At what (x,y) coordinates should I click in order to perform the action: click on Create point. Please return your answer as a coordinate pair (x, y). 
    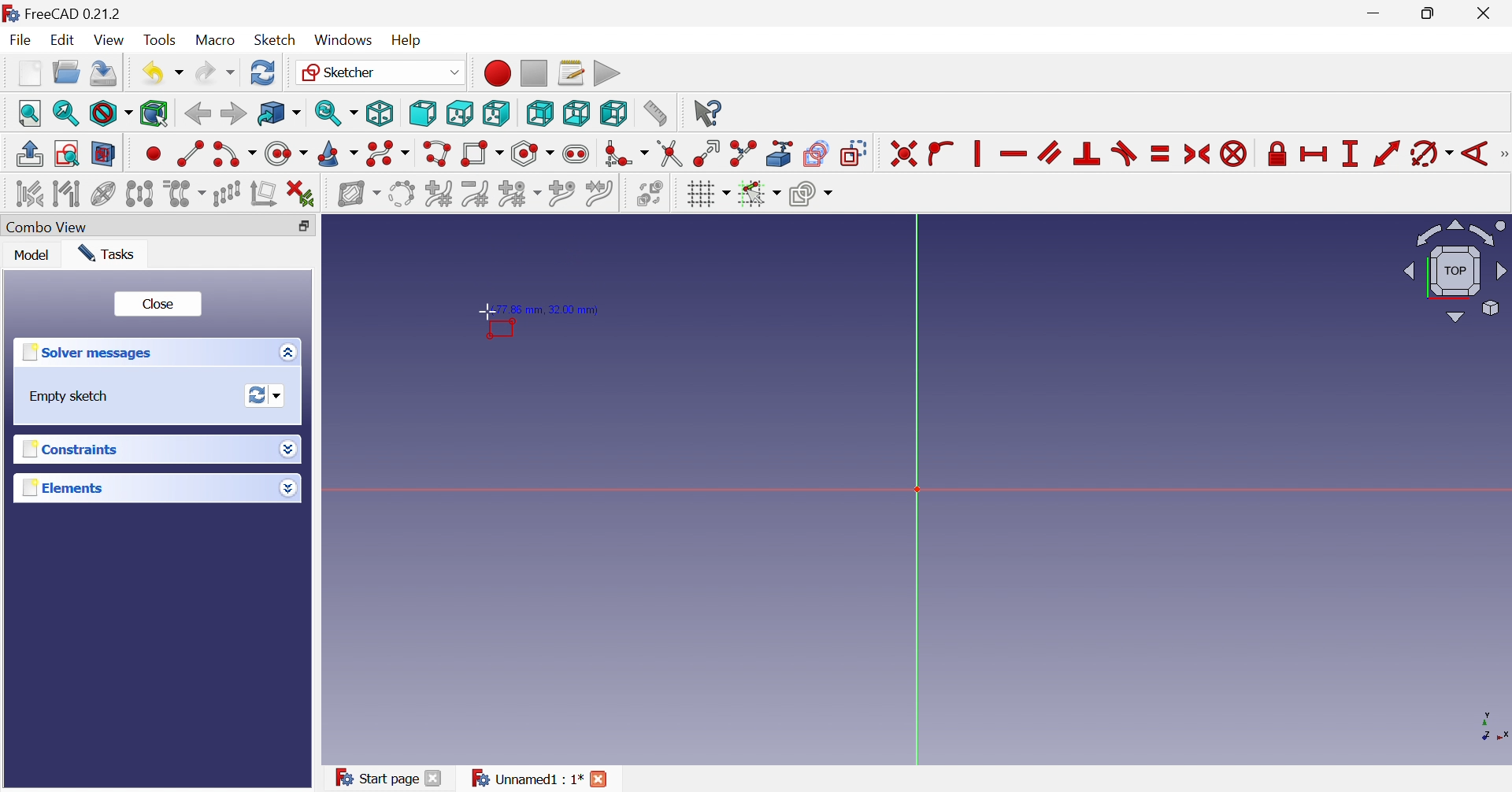
    Looking at the image, I should click on (154, 153).